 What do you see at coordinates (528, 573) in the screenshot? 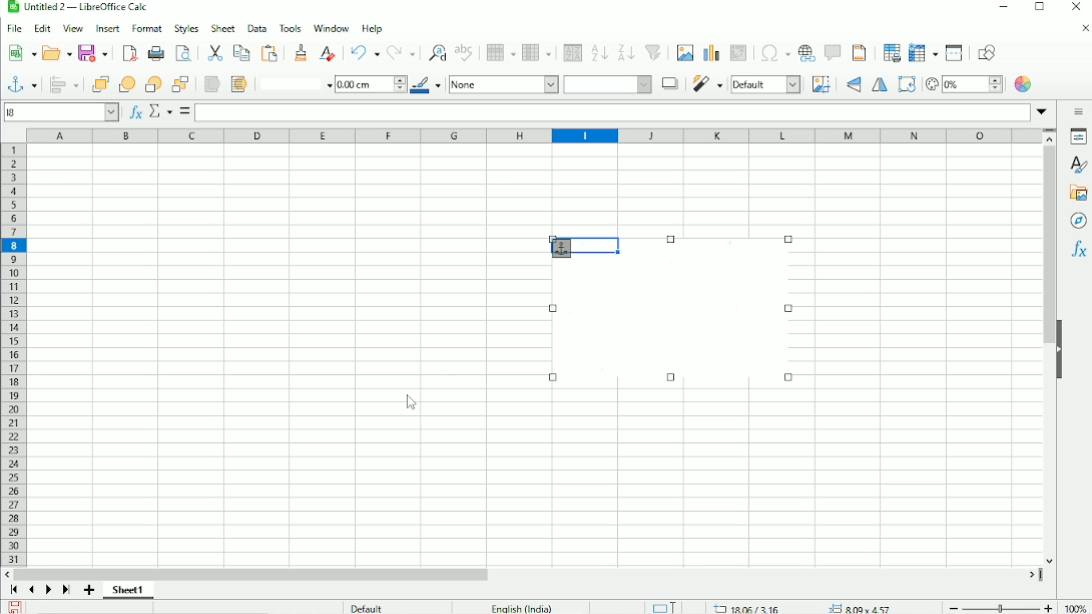
I see `Horizontal scrollbar` at bounding box center [528, 573].